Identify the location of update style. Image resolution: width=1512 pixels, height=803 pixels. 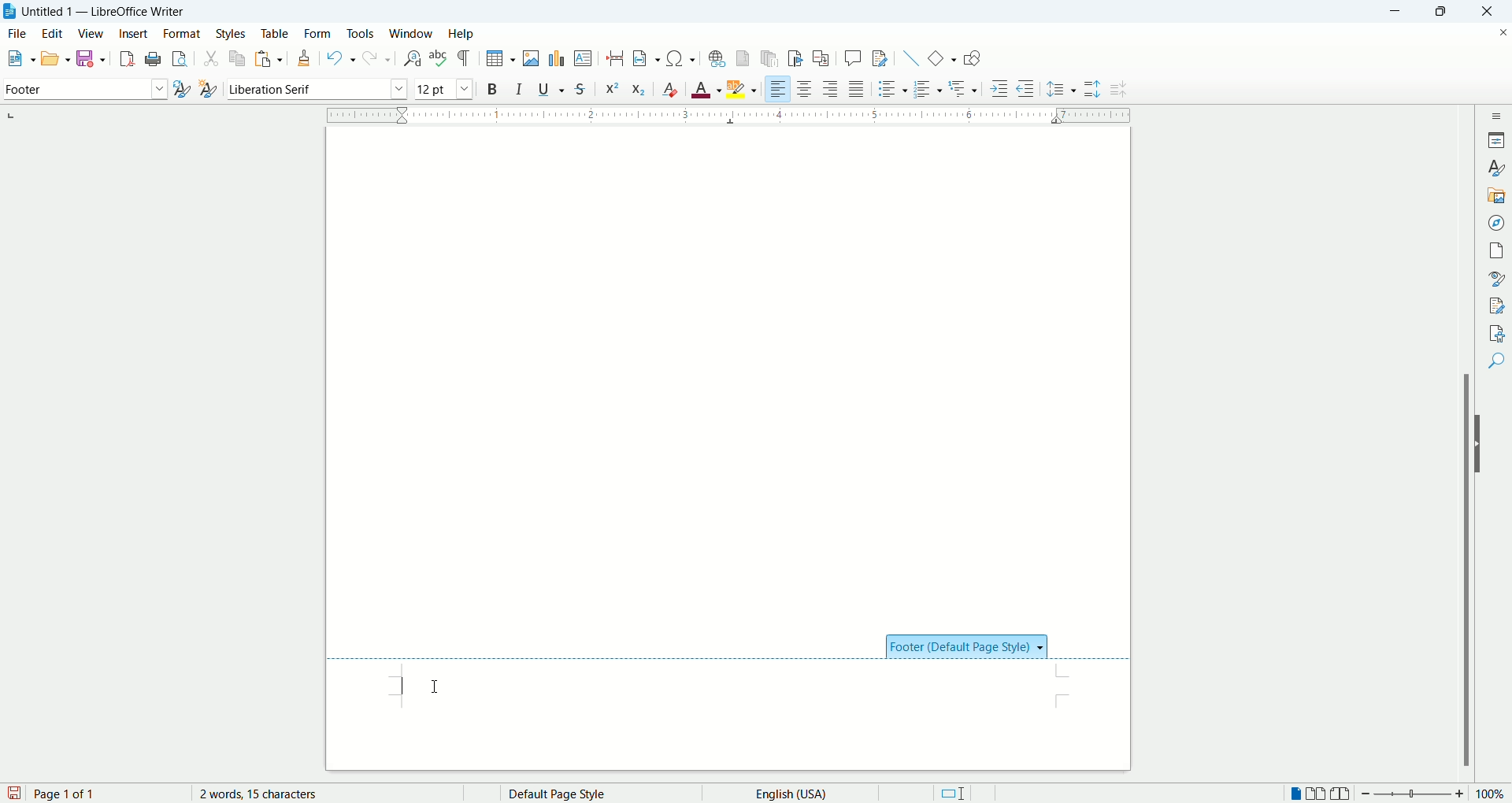
(181, 90).